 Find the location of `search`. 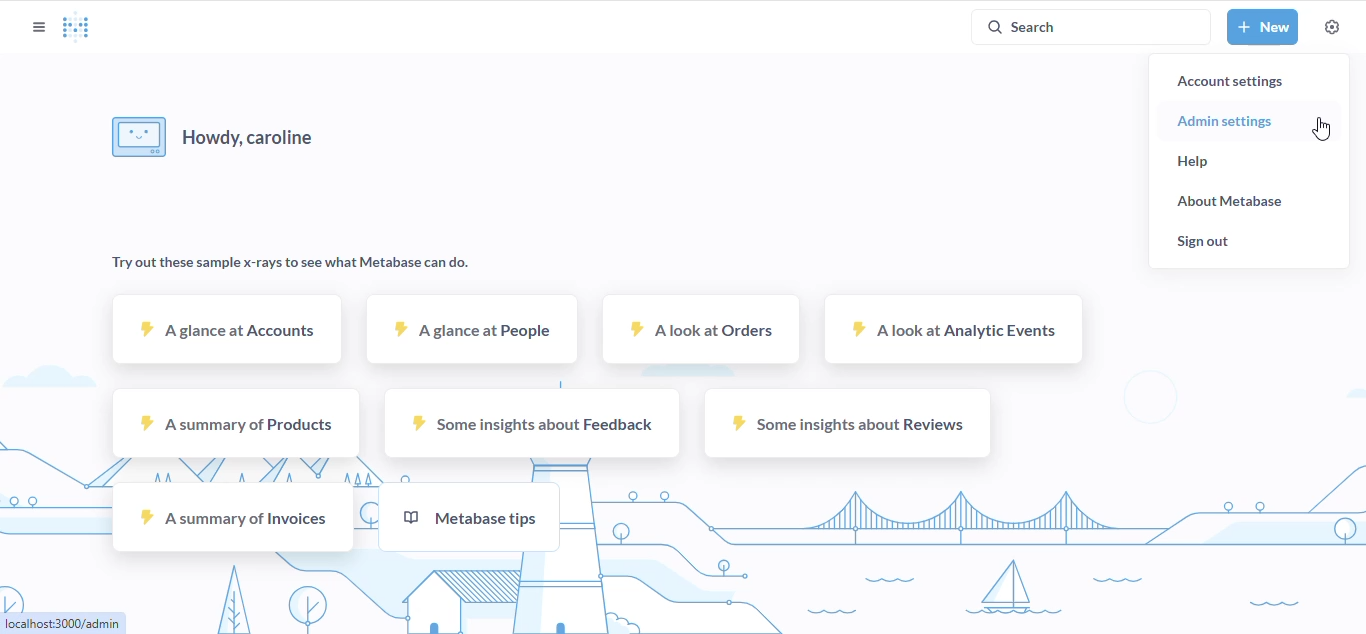

search is located at coordinates (1090, 26).